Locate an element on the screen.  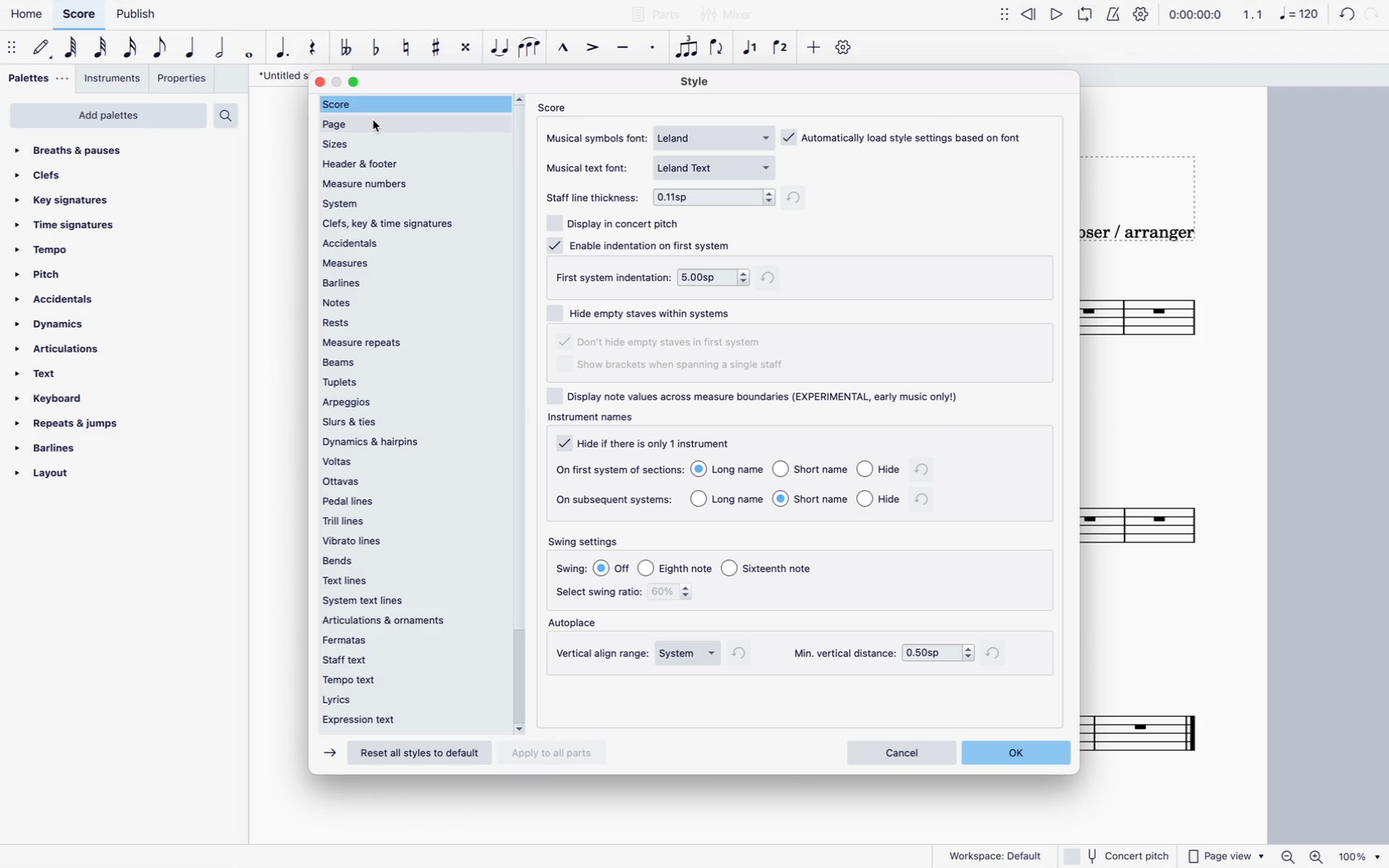
lyrics is located at coordinates (396, 698).